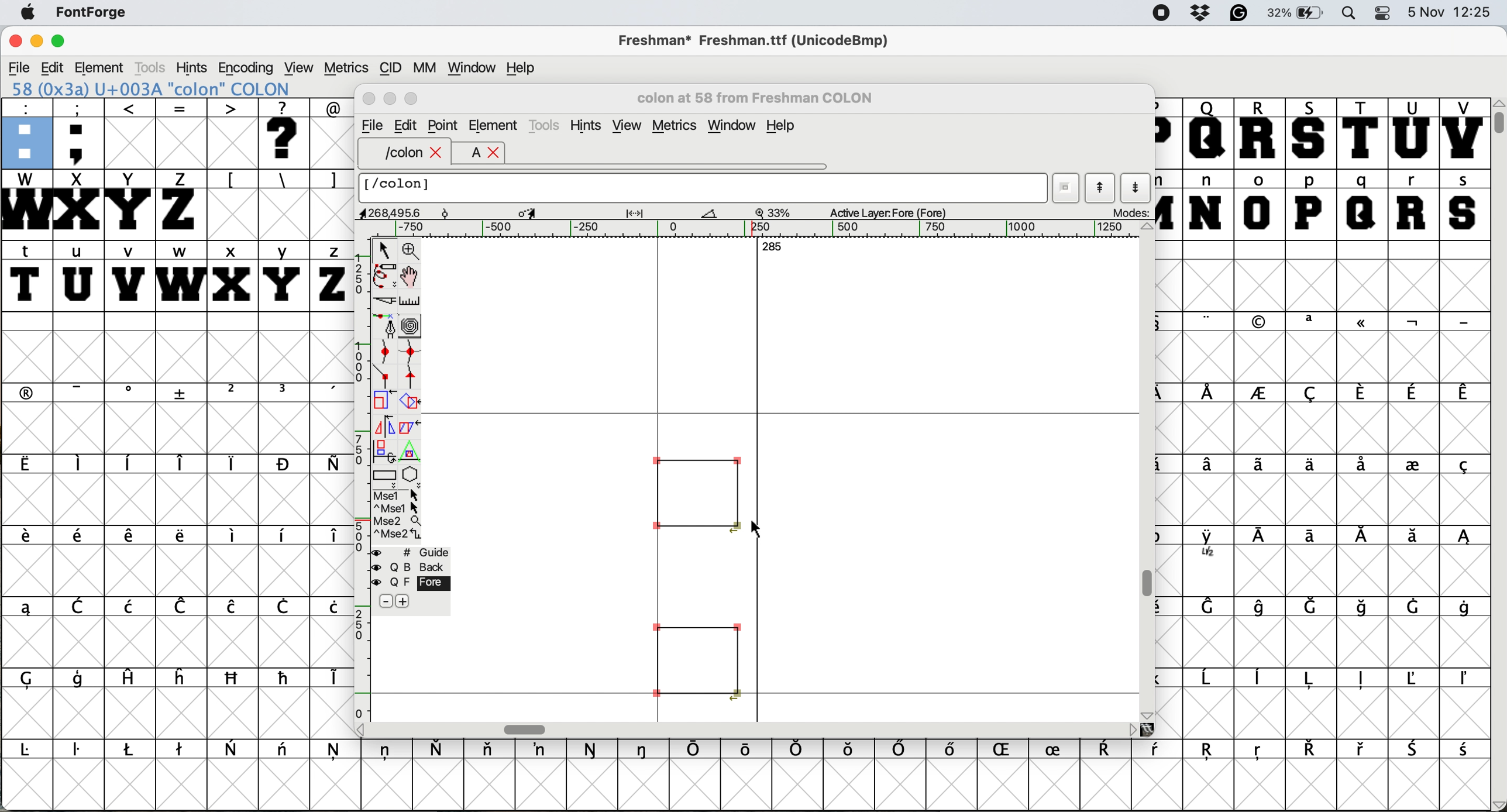 This screenshot has width=1507, height=812. Describe the element at coordinates (232, 748) in the screenshot. I see `symbol` at that location.